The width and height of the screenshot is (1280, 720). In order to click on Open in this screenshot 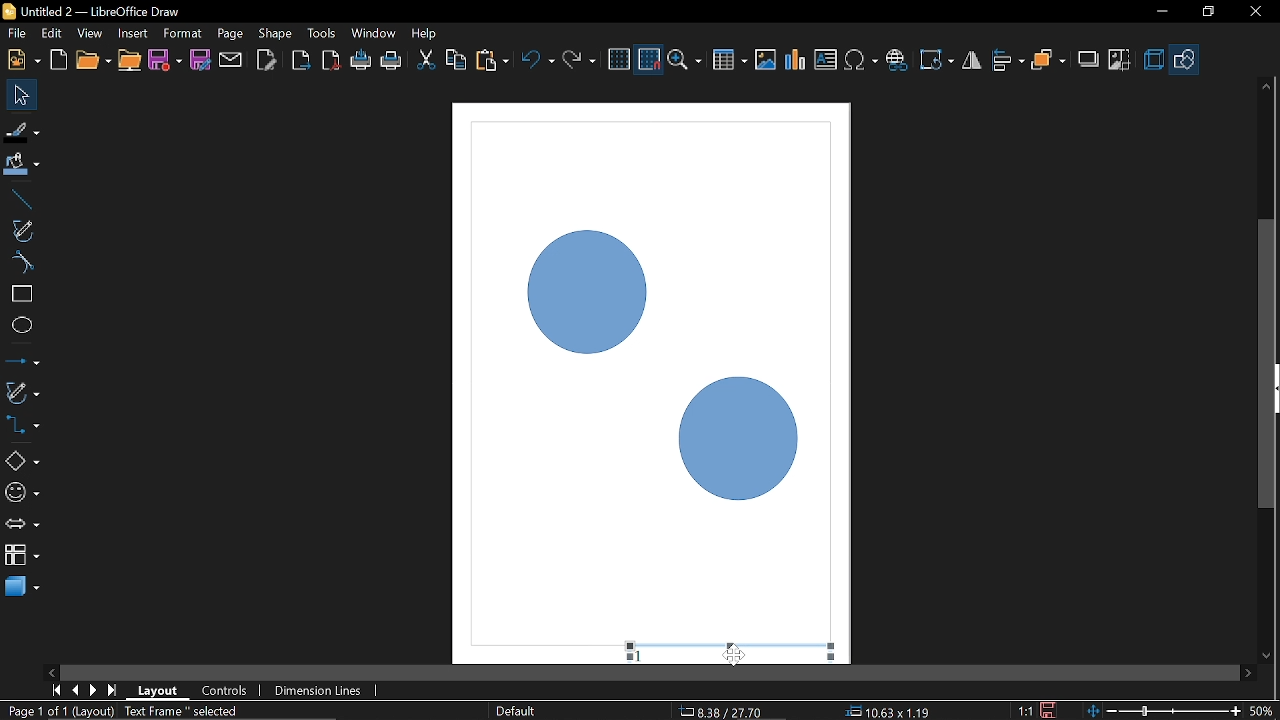, I will do `click(92, 61)`.